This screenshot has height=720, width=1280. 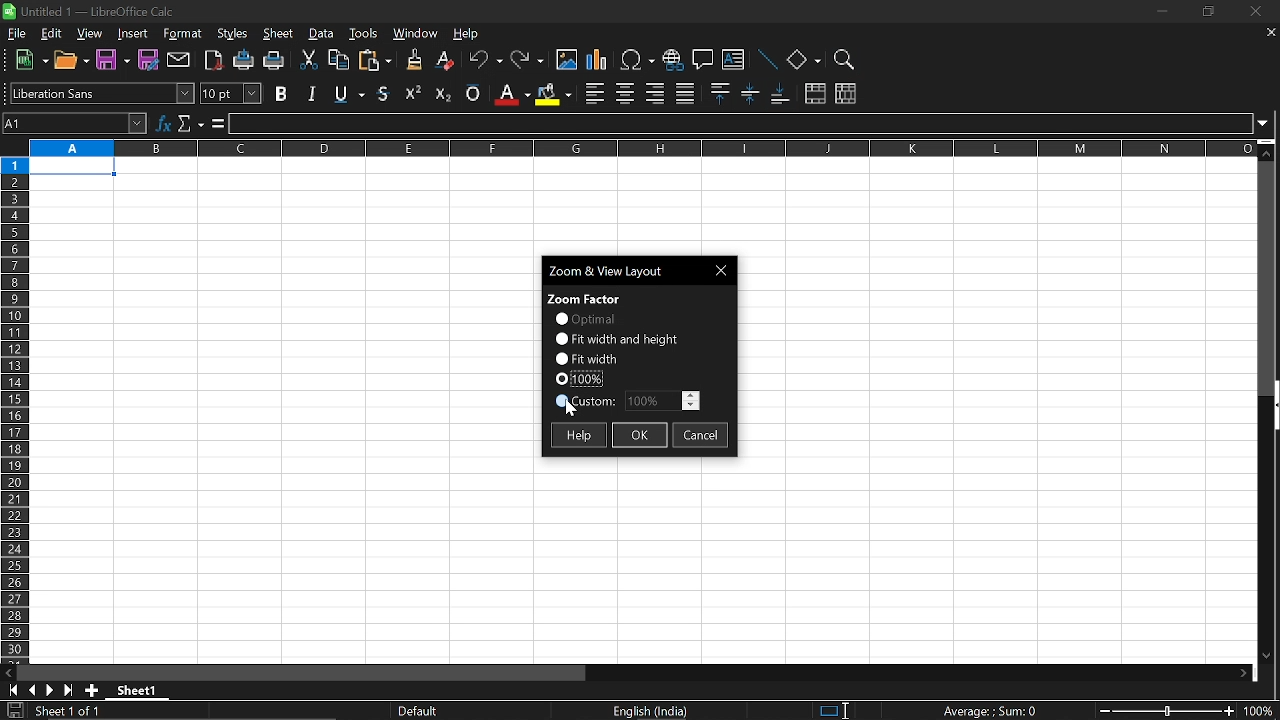 What do you see at coordinates (1166, 712) in the screenshot?
I see `change zoom` at bounding box center [1166, 712].